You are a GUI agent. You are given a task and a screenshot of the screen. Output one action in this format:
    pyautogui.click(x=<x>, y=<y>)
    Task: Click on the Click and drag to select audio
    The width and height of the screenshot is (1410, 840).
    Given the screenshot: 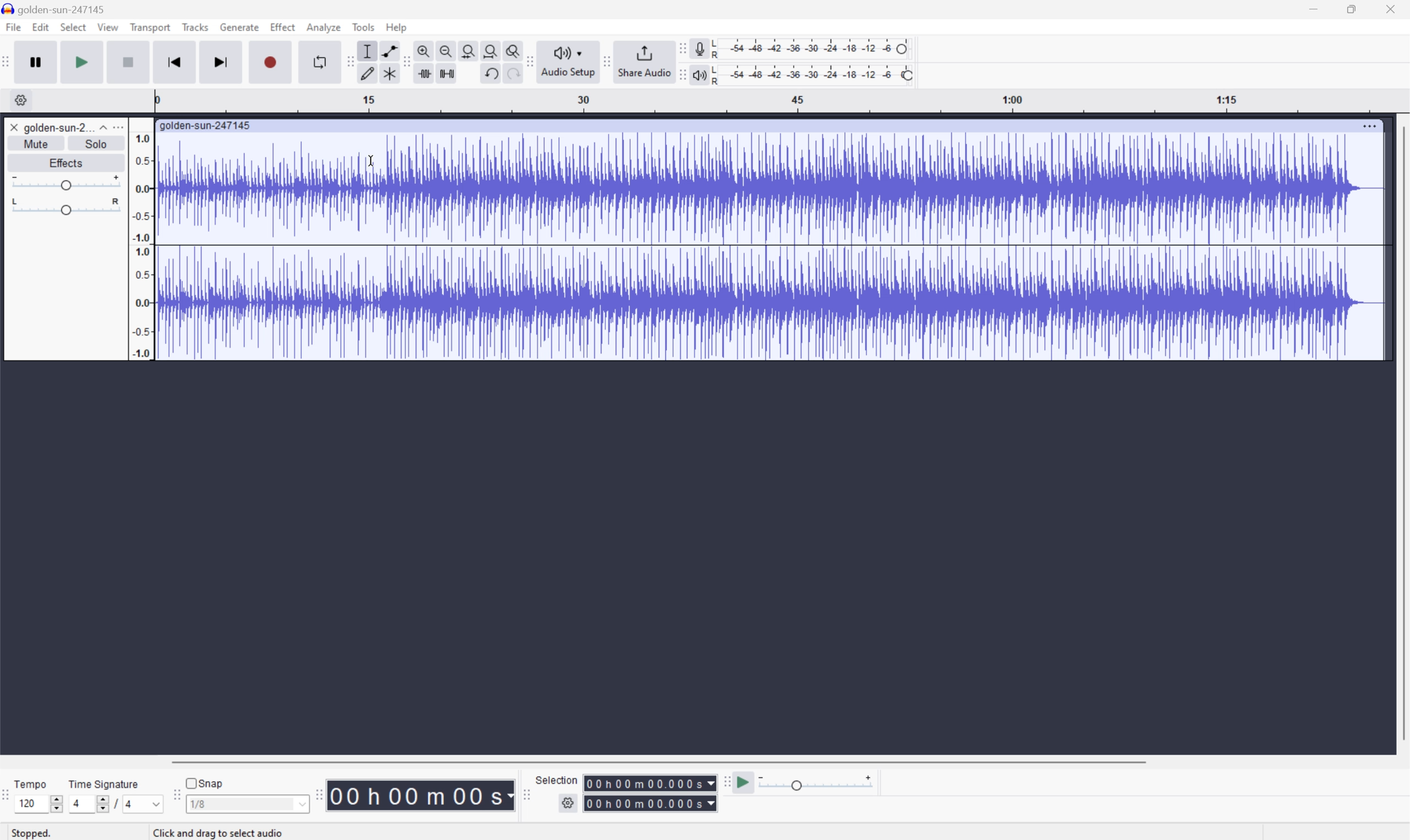 What is the action you would take?
    pyautogui.click(x=222, y=832)
    